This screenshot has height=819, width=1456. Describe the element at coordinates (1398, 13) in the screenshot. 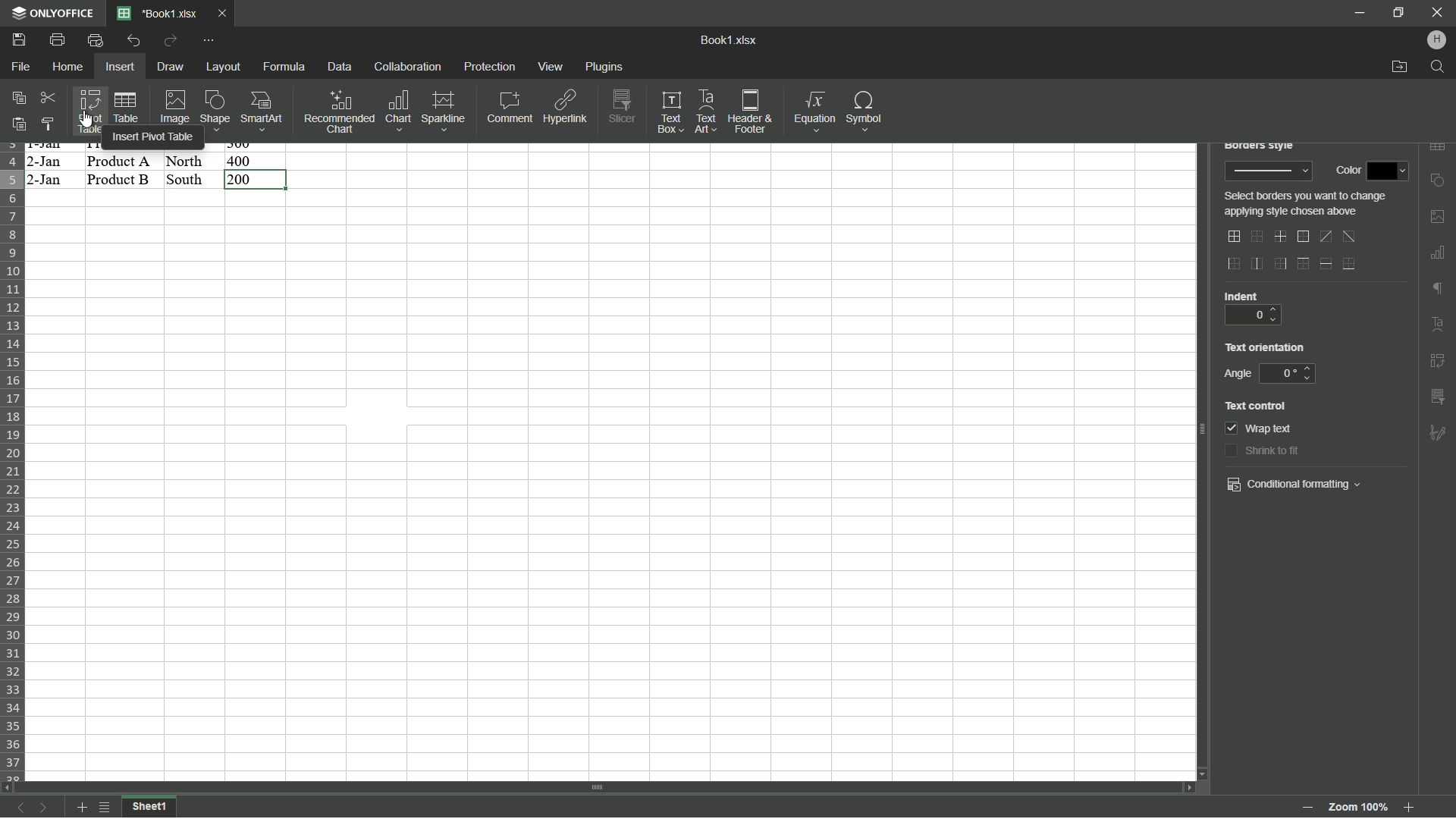

I see `minimize/maximize` at that location.